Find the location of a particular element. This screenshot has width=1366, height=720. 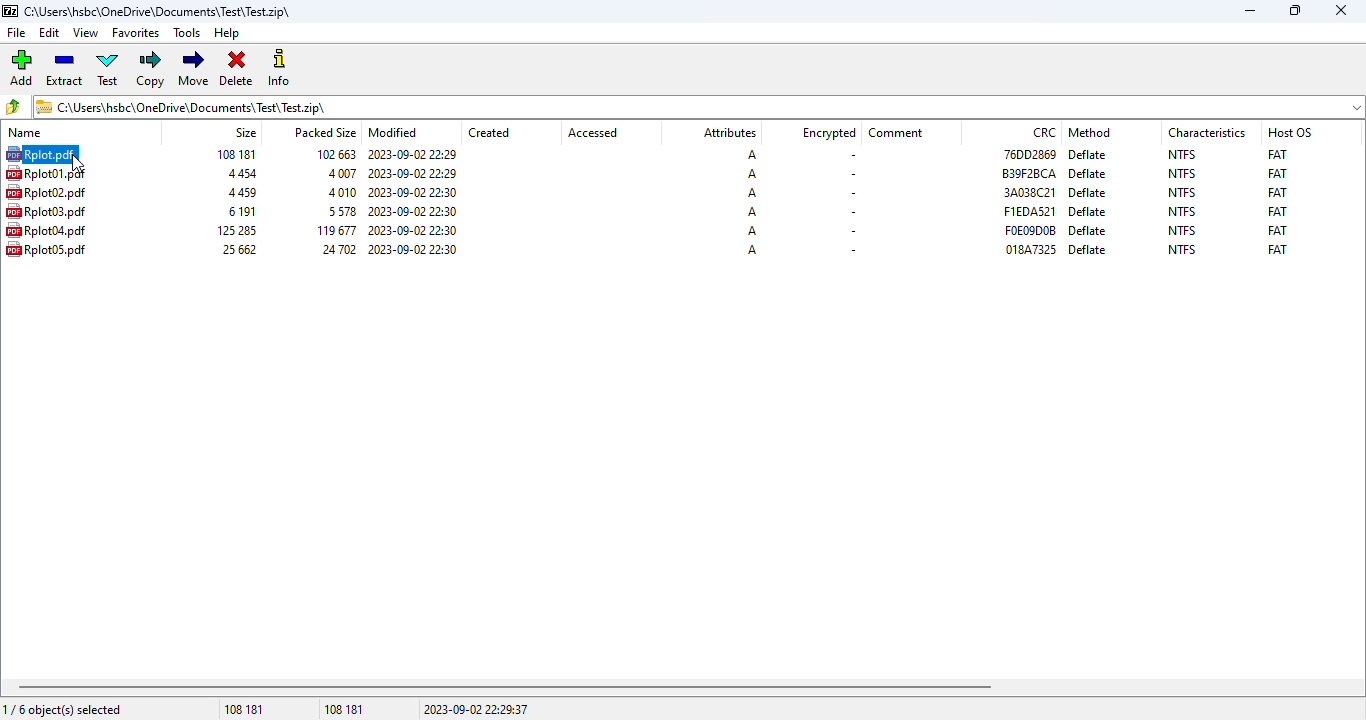

packed size is located at coordinates (332, 153).